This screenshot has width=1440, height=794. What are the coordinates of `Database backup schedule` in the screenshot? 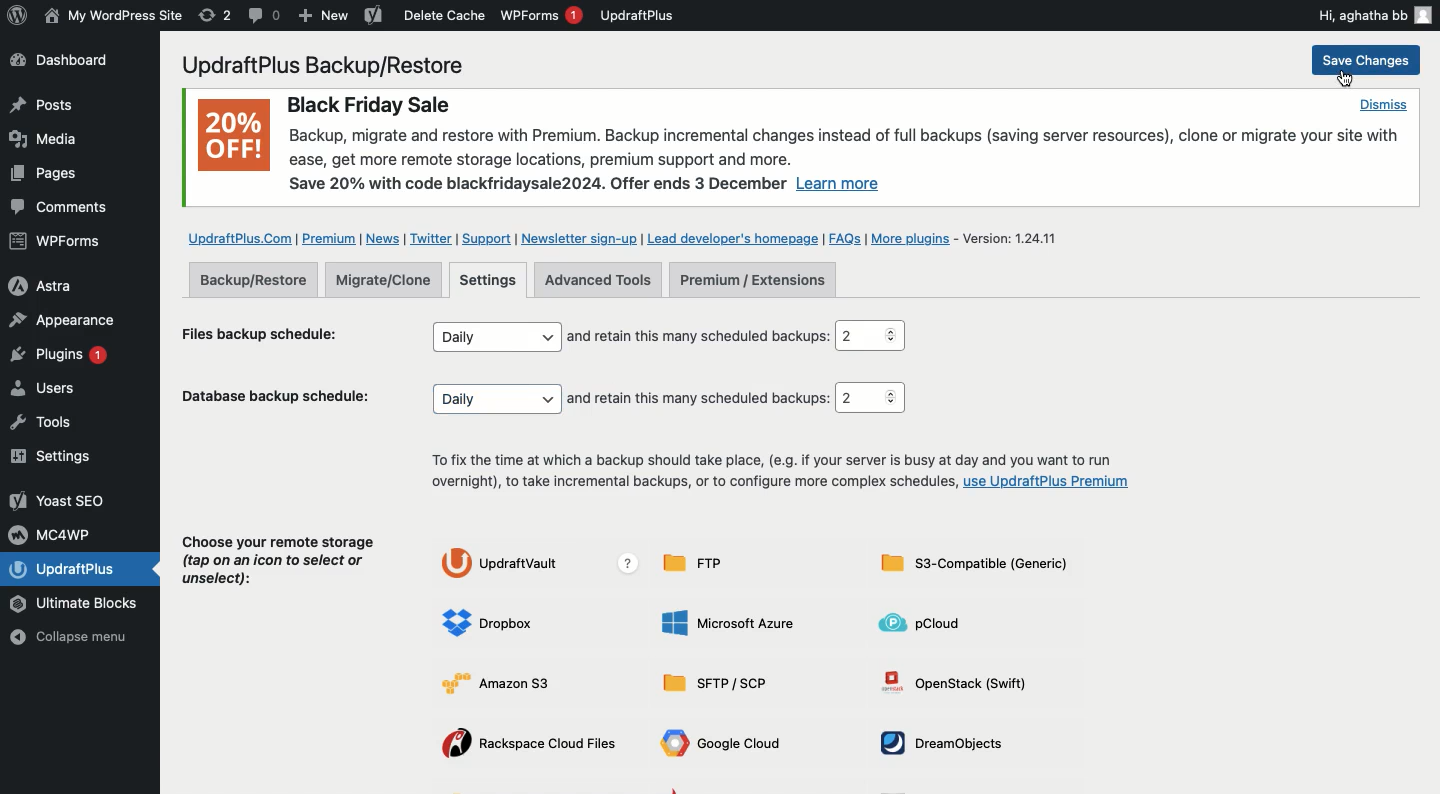 It's located at (280, 400).